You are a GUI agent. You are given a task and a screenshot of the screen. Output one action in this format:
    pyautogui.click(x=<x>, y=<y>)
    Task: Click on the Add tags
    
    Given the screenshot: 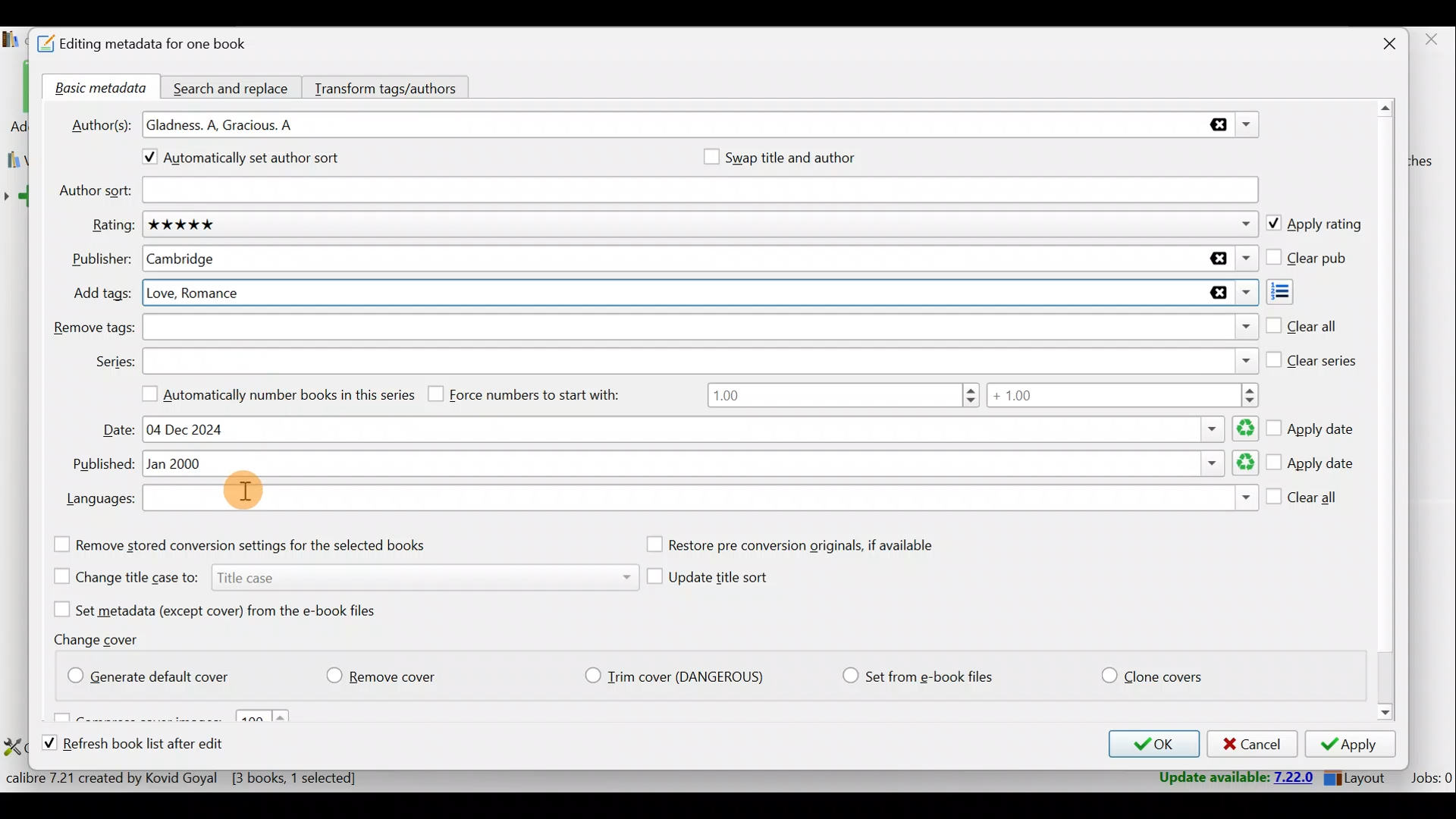 What is the action you would take?
    pyautogui.click(x=1294, y=292)
    